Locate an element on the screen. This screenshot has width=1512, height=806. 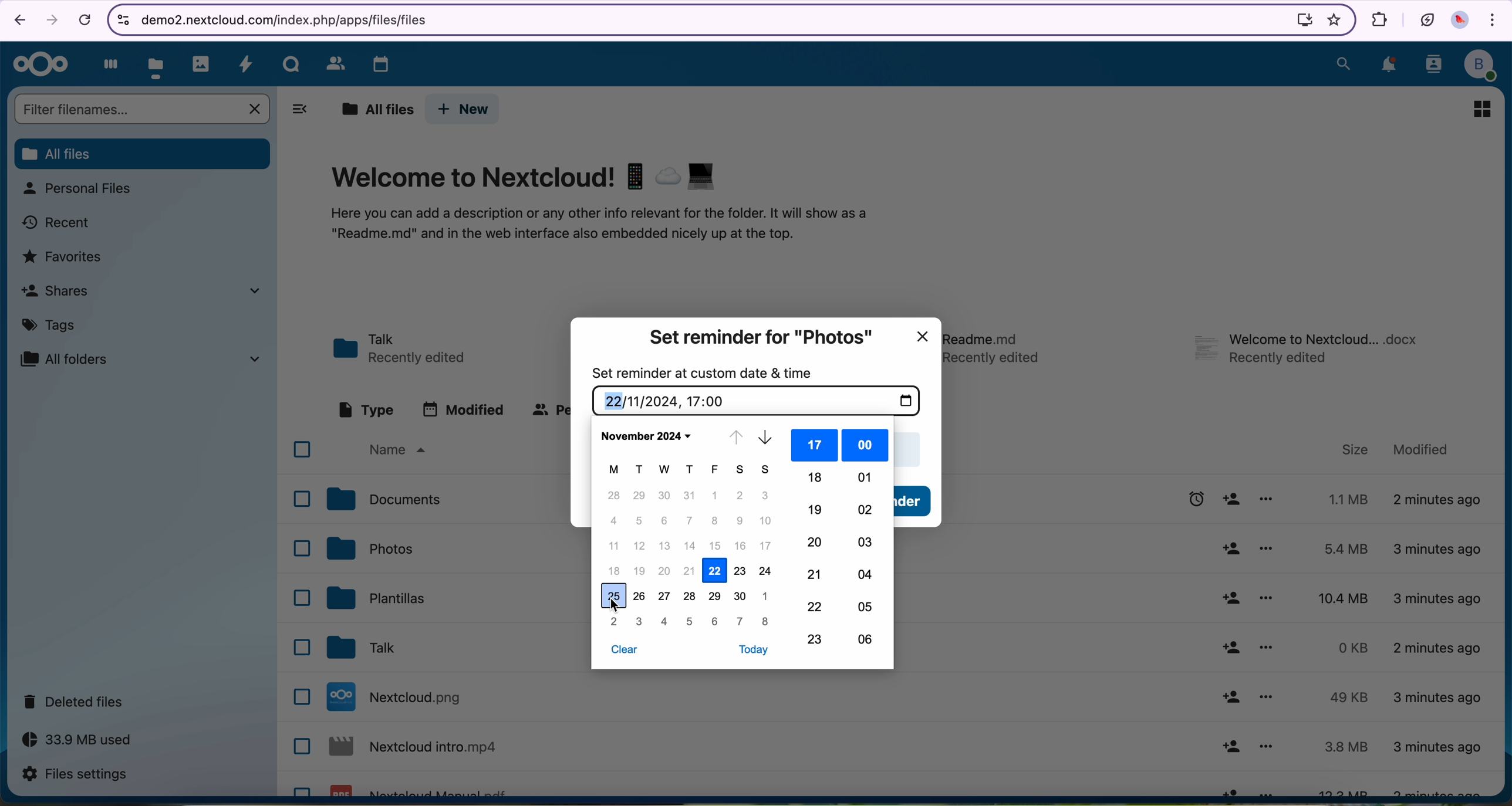
Thursday is located at coordinates (691, 469).